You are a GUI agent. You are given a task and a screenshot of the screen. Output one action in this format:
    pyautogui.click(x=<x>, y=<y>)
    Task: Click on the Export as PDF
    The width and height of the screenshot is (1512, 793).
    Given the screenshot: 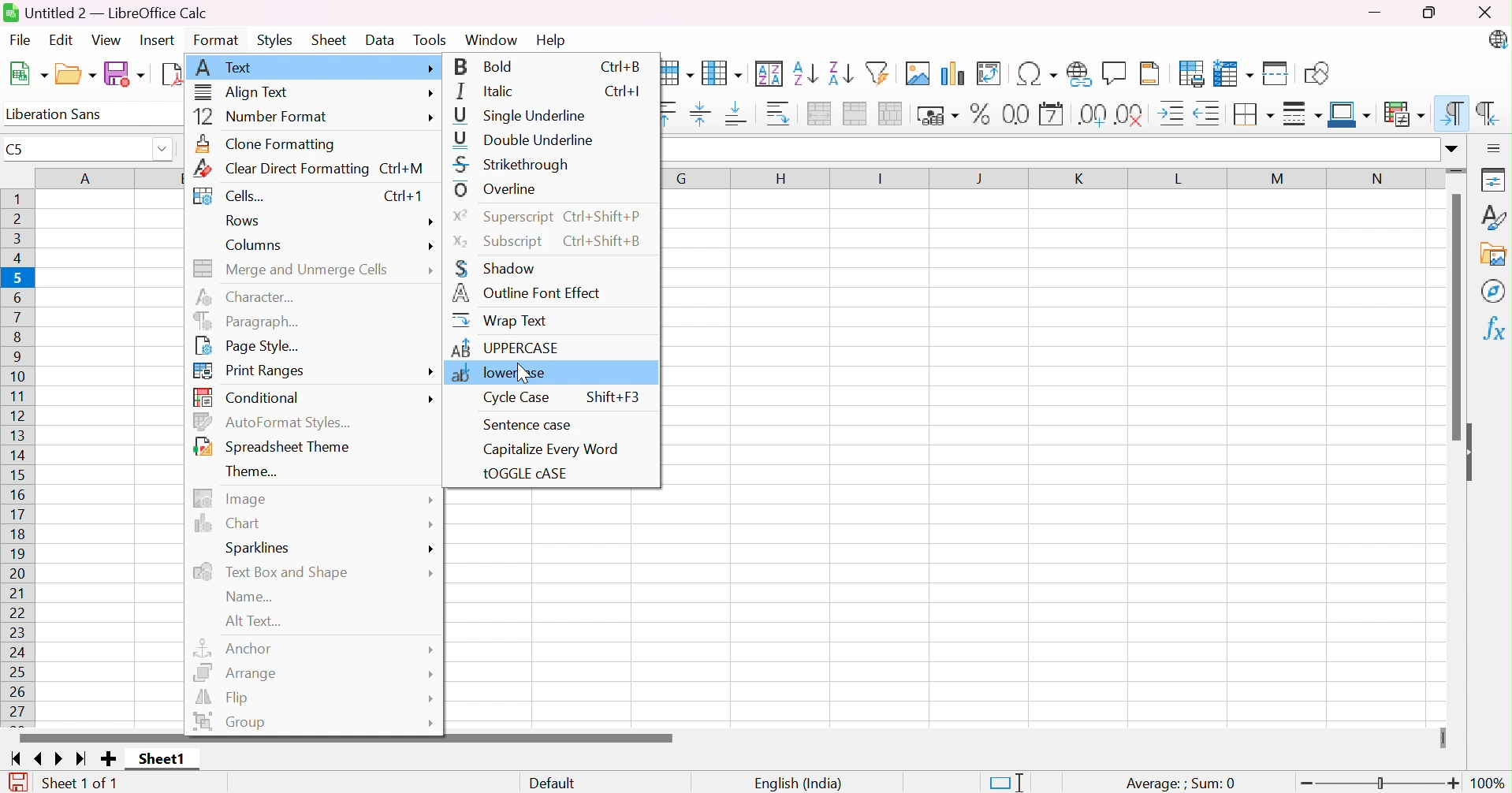 What is the action you would take?
    pyautogui.click(x=172, y=75)
    